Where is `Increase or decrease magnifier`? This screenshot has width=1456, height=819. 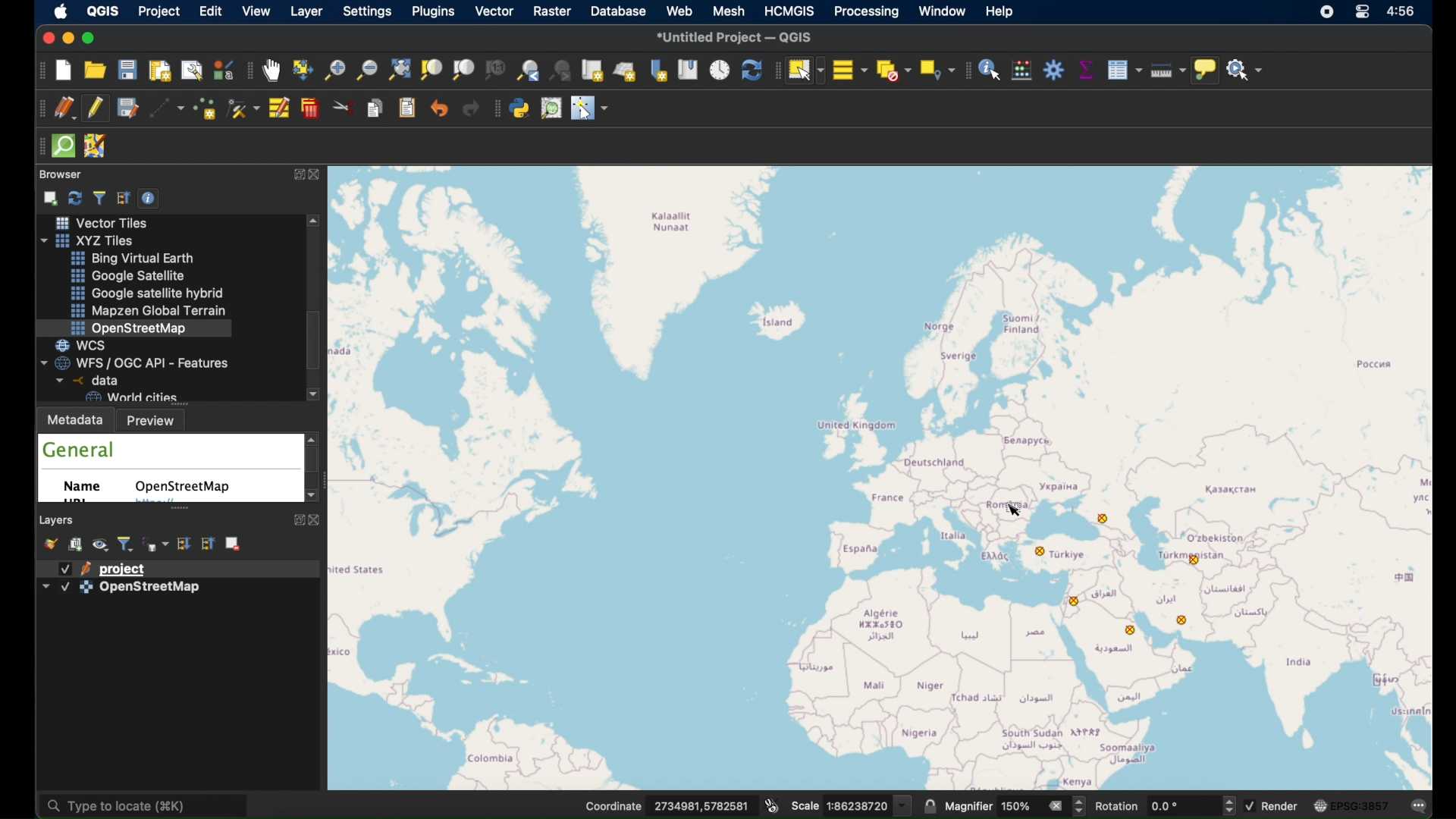 Increase or decrease magnifier is located at coordinates (1081, 806).